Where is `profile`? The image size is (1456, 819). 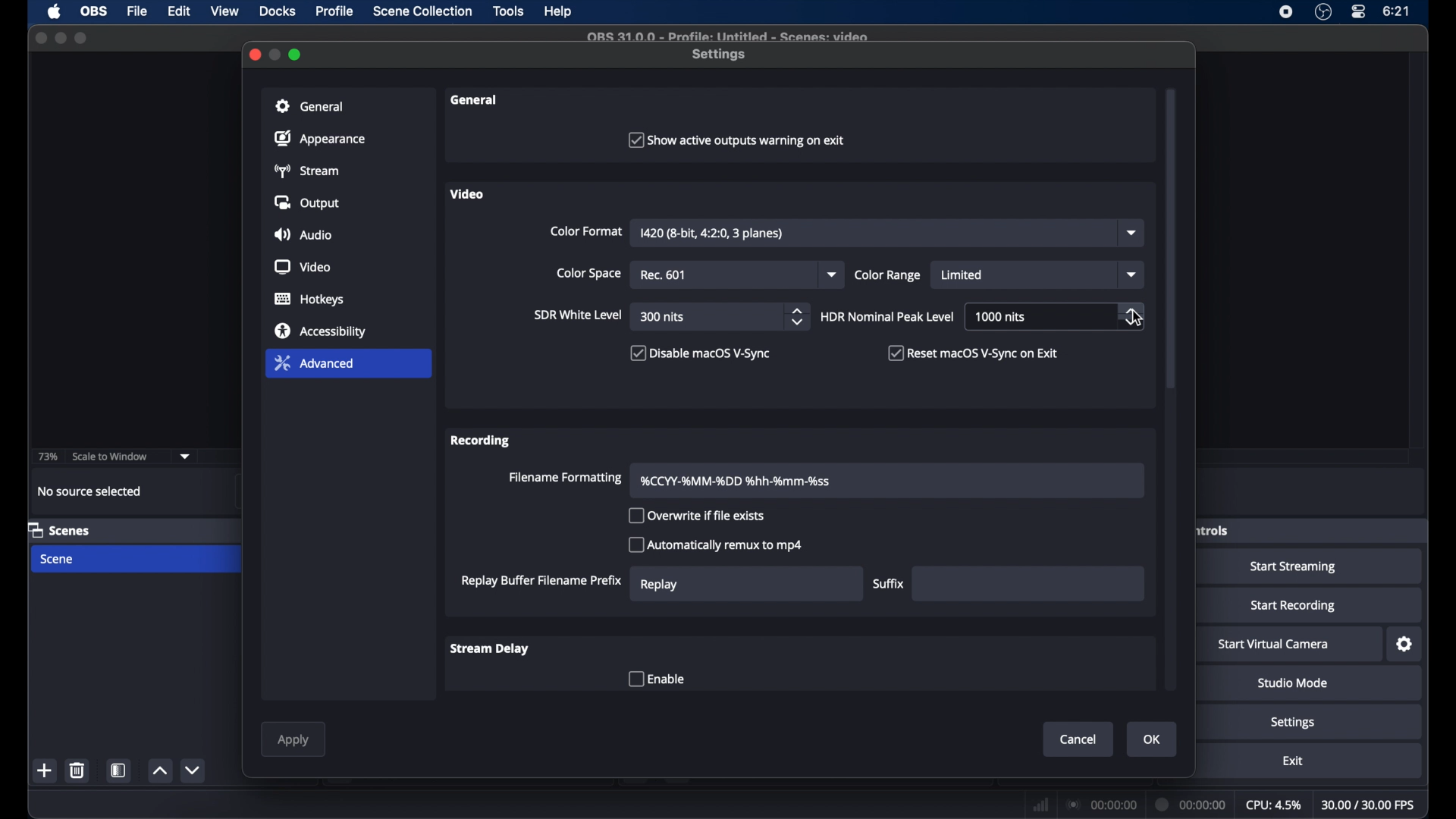
profile is located at coordinates (336, 11).